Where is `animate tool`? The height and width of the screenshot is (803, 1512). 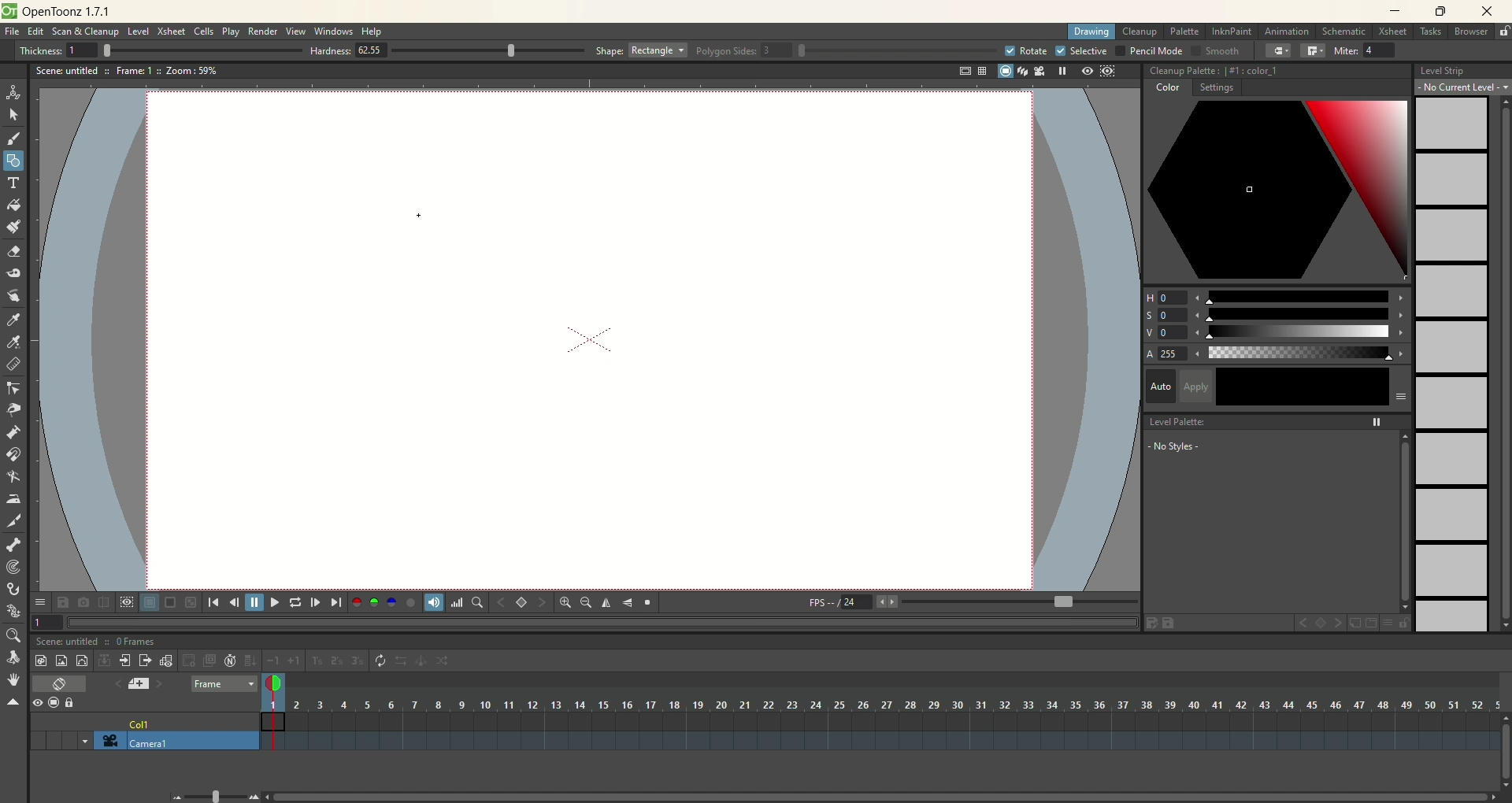 animate tool is located at coordinates (13, 92).